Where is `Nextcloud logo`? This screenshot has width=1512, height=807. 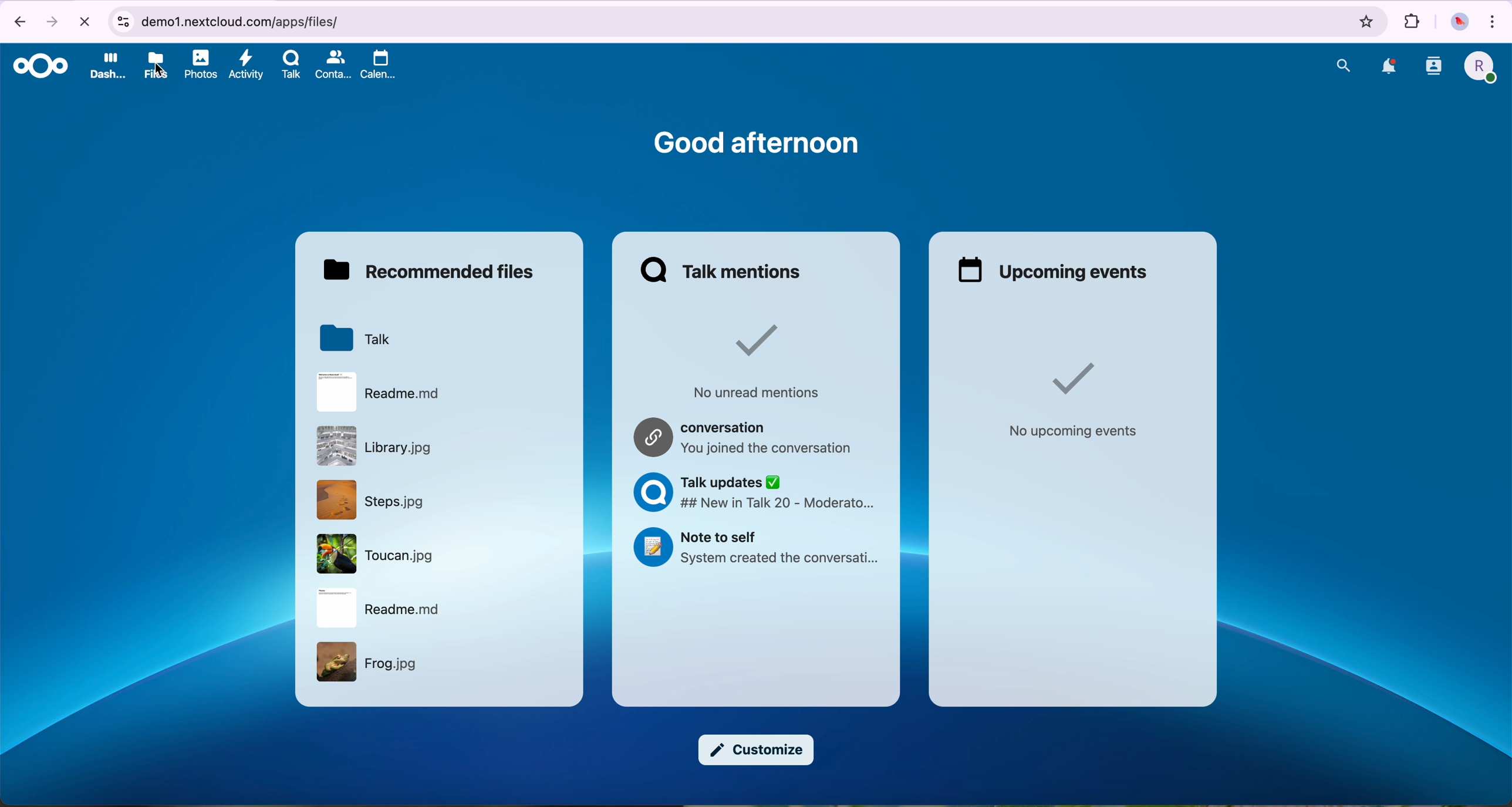 Nextcloud logo is located at coordinates (37, 66).